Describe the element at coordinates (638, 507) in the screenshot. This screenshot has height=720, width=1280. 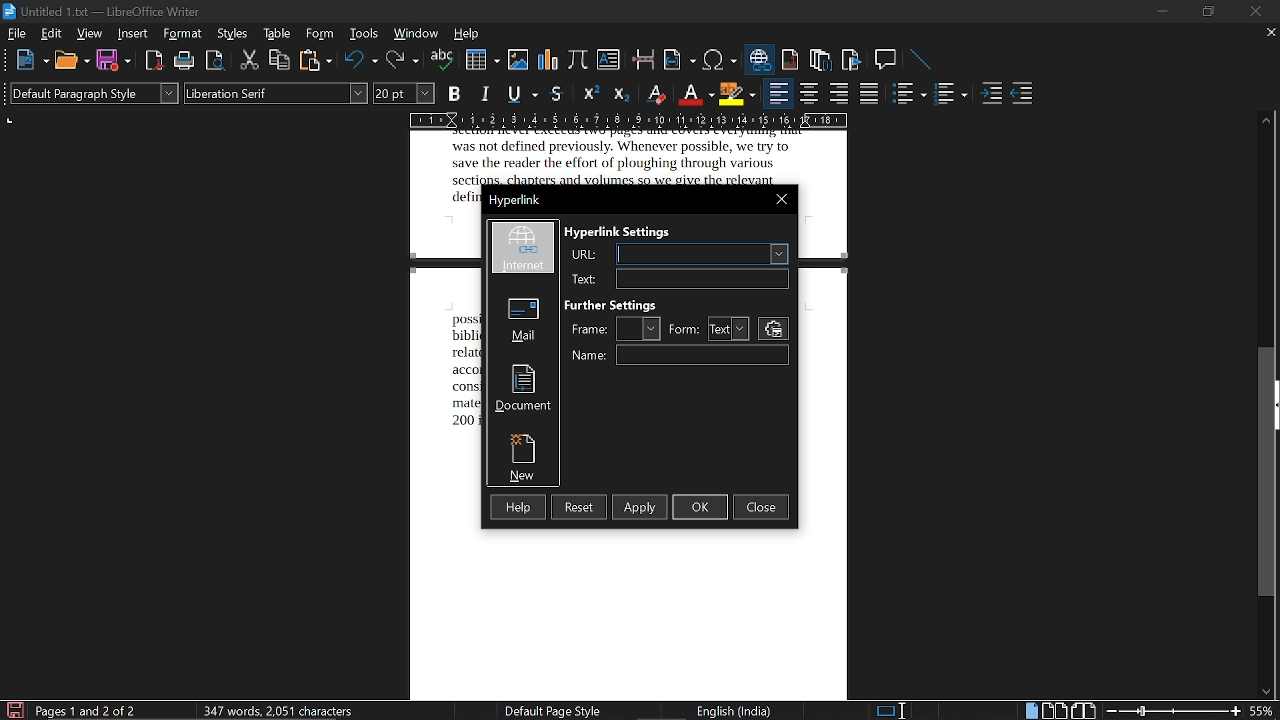
I see `apply` at that location.